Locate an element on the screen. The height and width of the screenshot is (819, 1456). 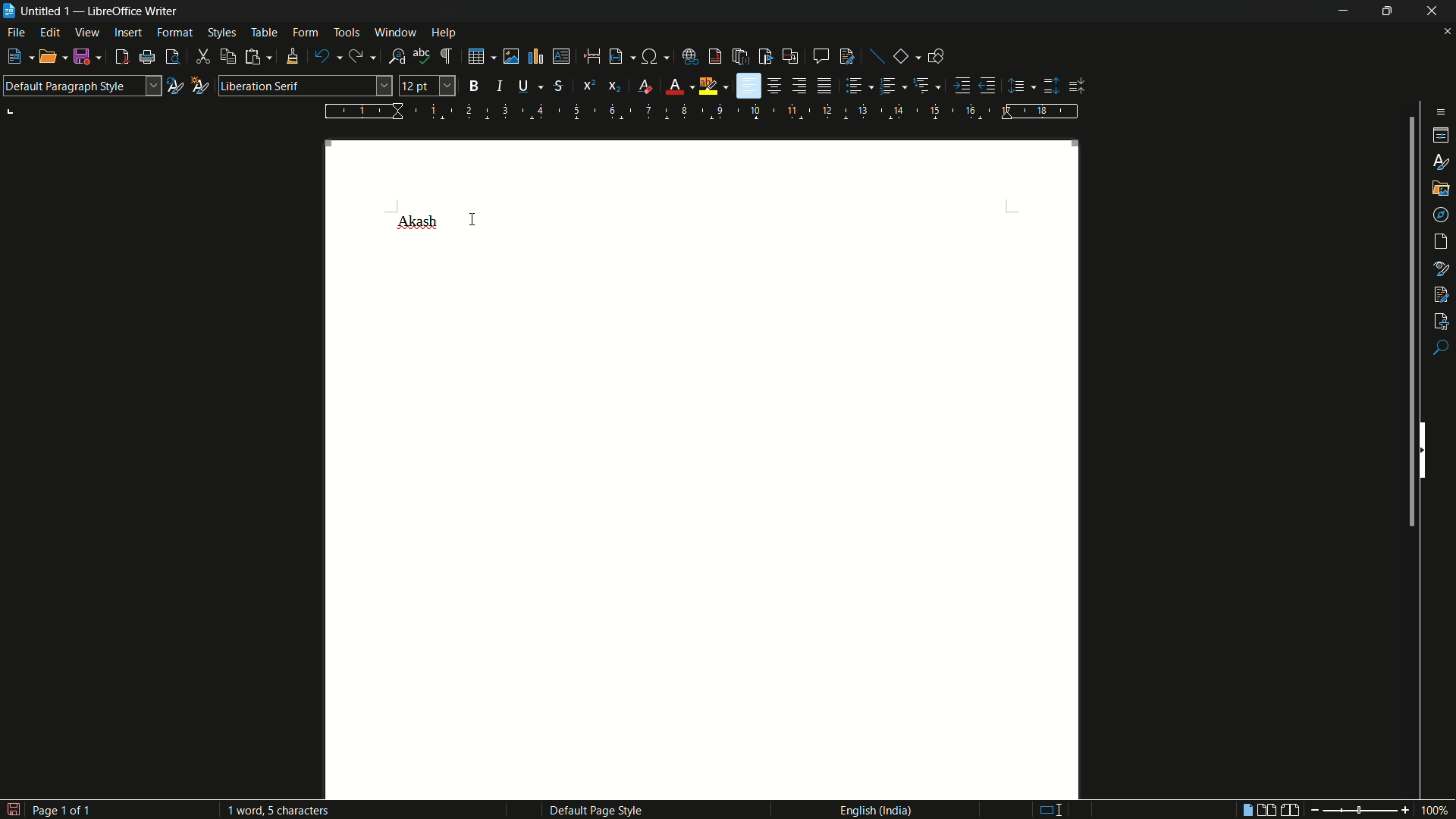
set line spacing is located at coordinates (1018, 86).